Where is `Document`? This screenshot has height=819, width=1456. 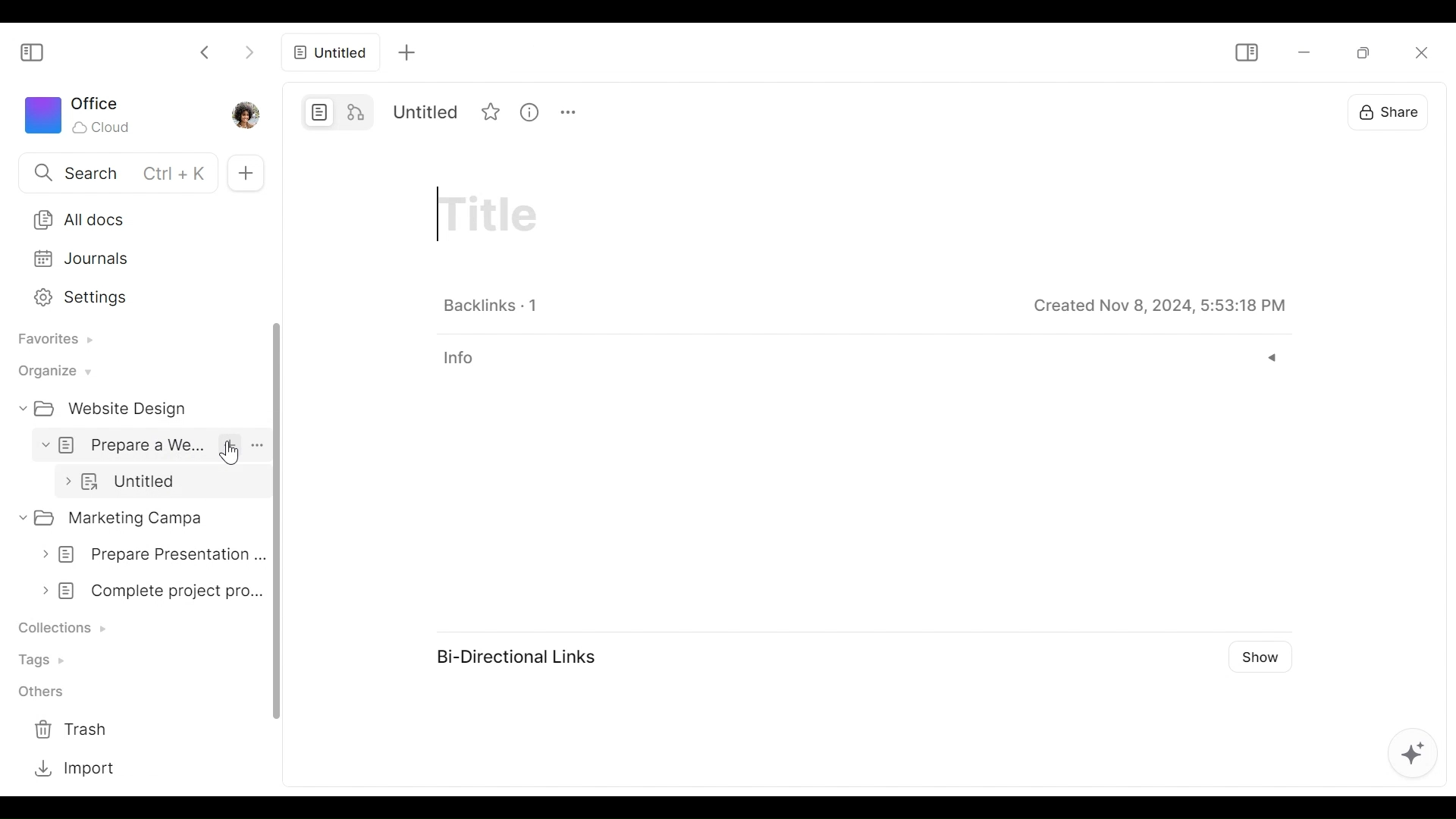 Document is located at coordinates (151, 445).